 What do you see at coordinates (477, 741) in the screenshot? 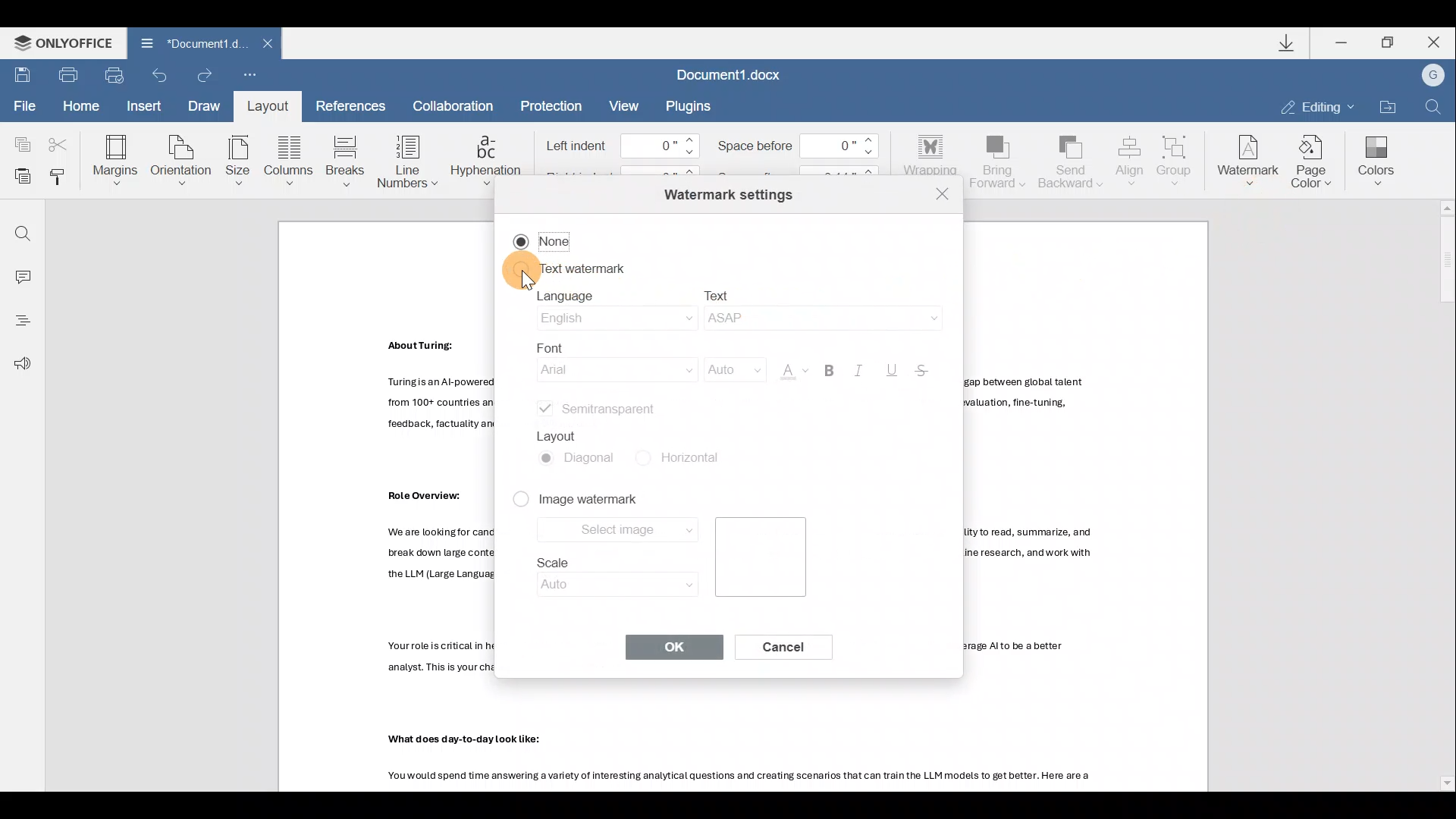
I see `` at bounding box center [477, 741].